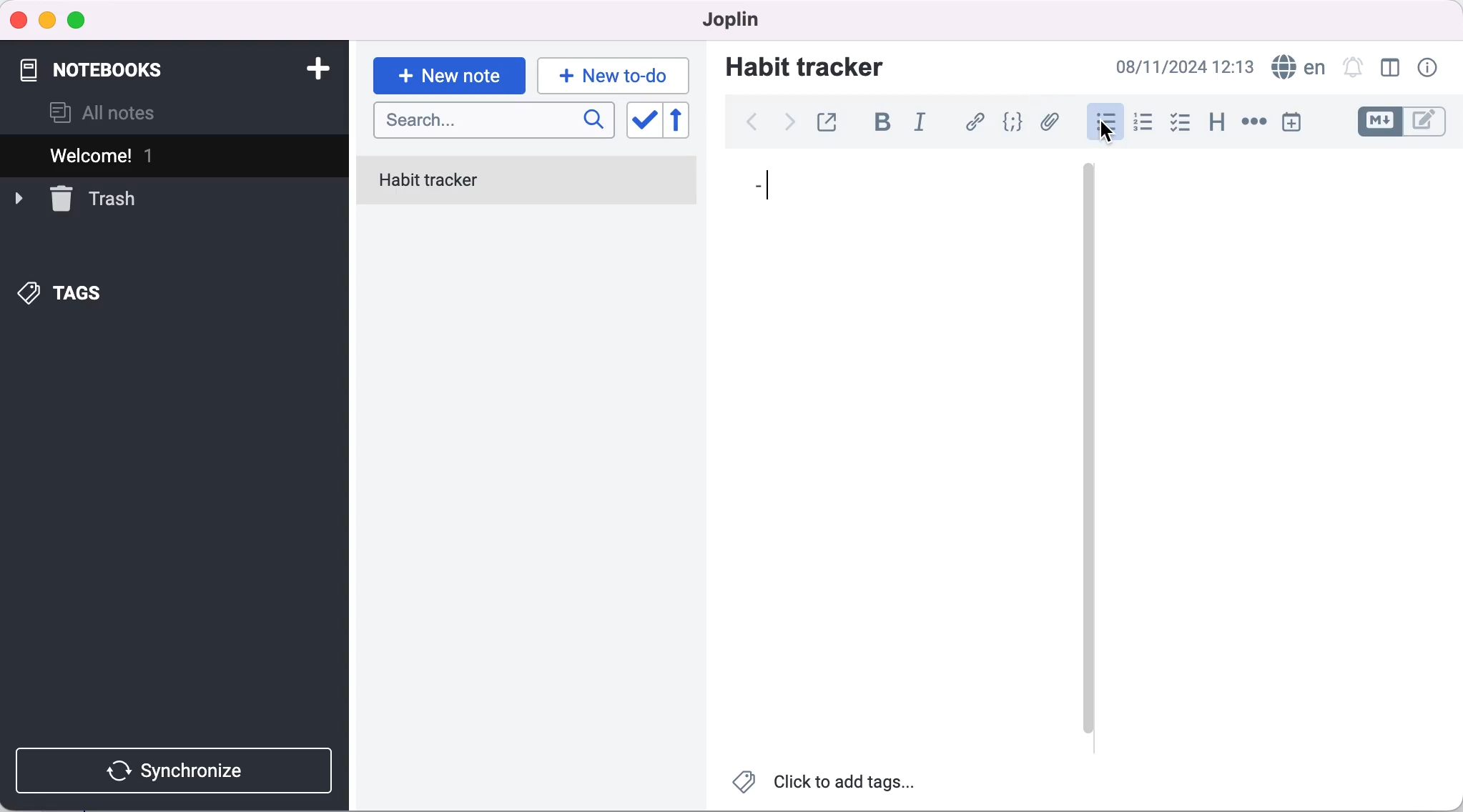  What do you see at coordinates (1181, 66) in the screenshot?
I see `08/11/2024 12:13` at bounding box center [1181, 66].